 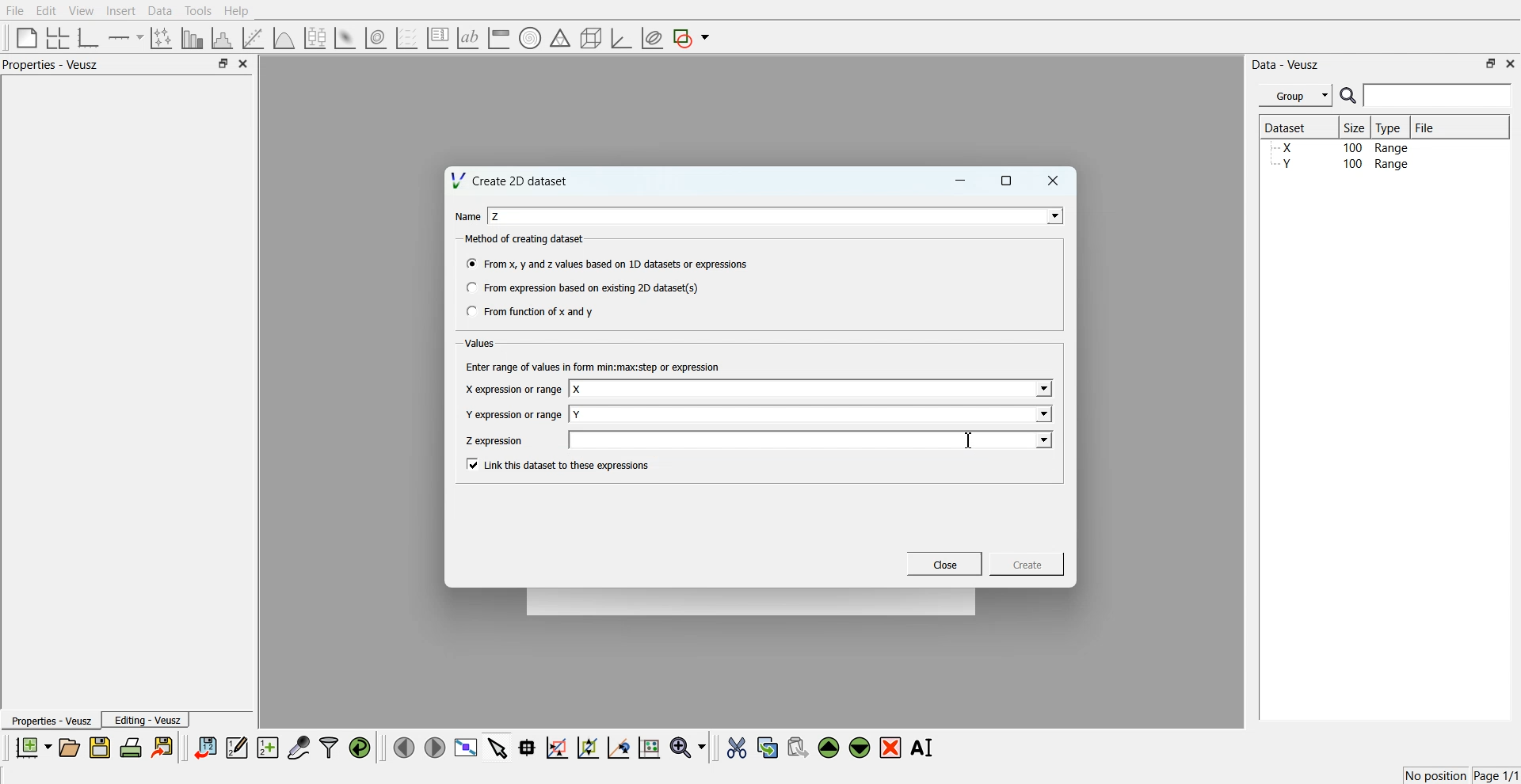 I want to click on Paste widget from the clipboard, so click(x=798, y=746).